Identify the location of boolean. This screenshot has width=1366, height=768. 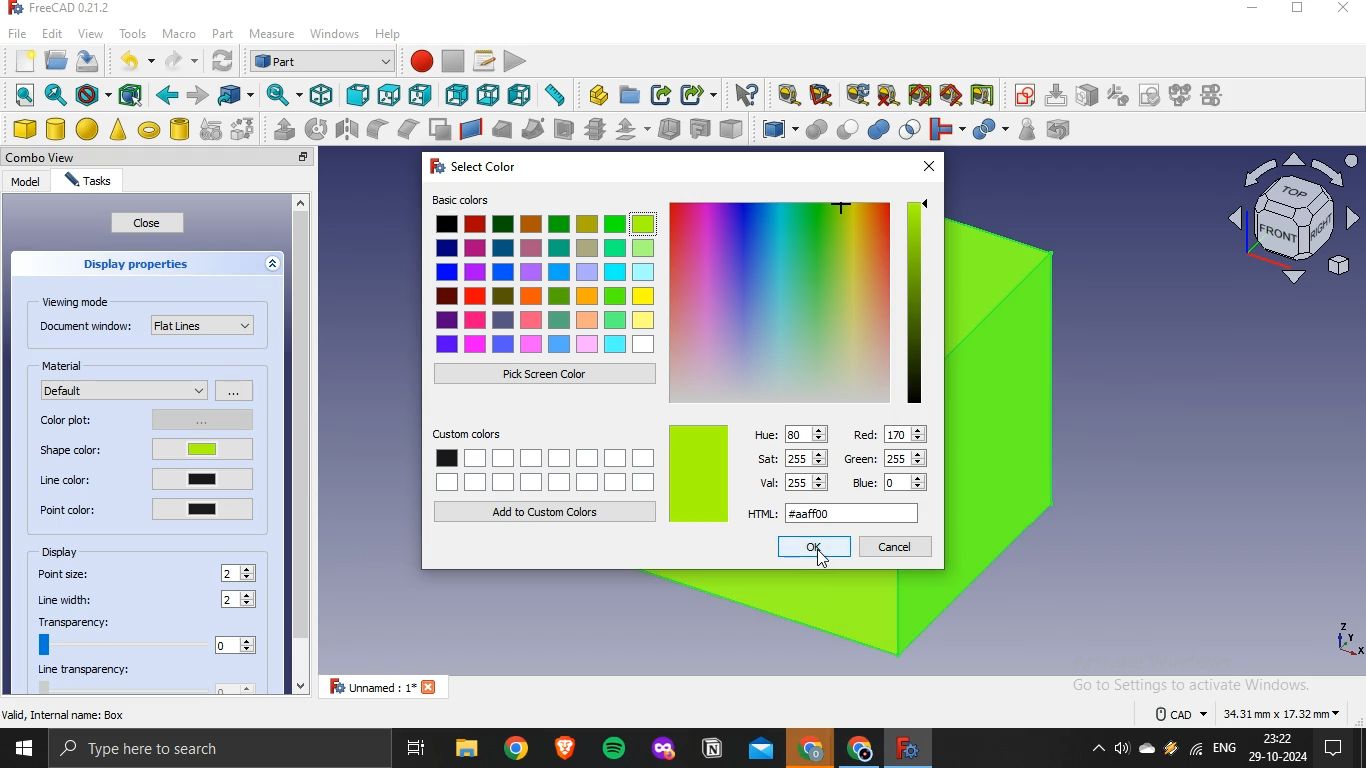
(816, 129).